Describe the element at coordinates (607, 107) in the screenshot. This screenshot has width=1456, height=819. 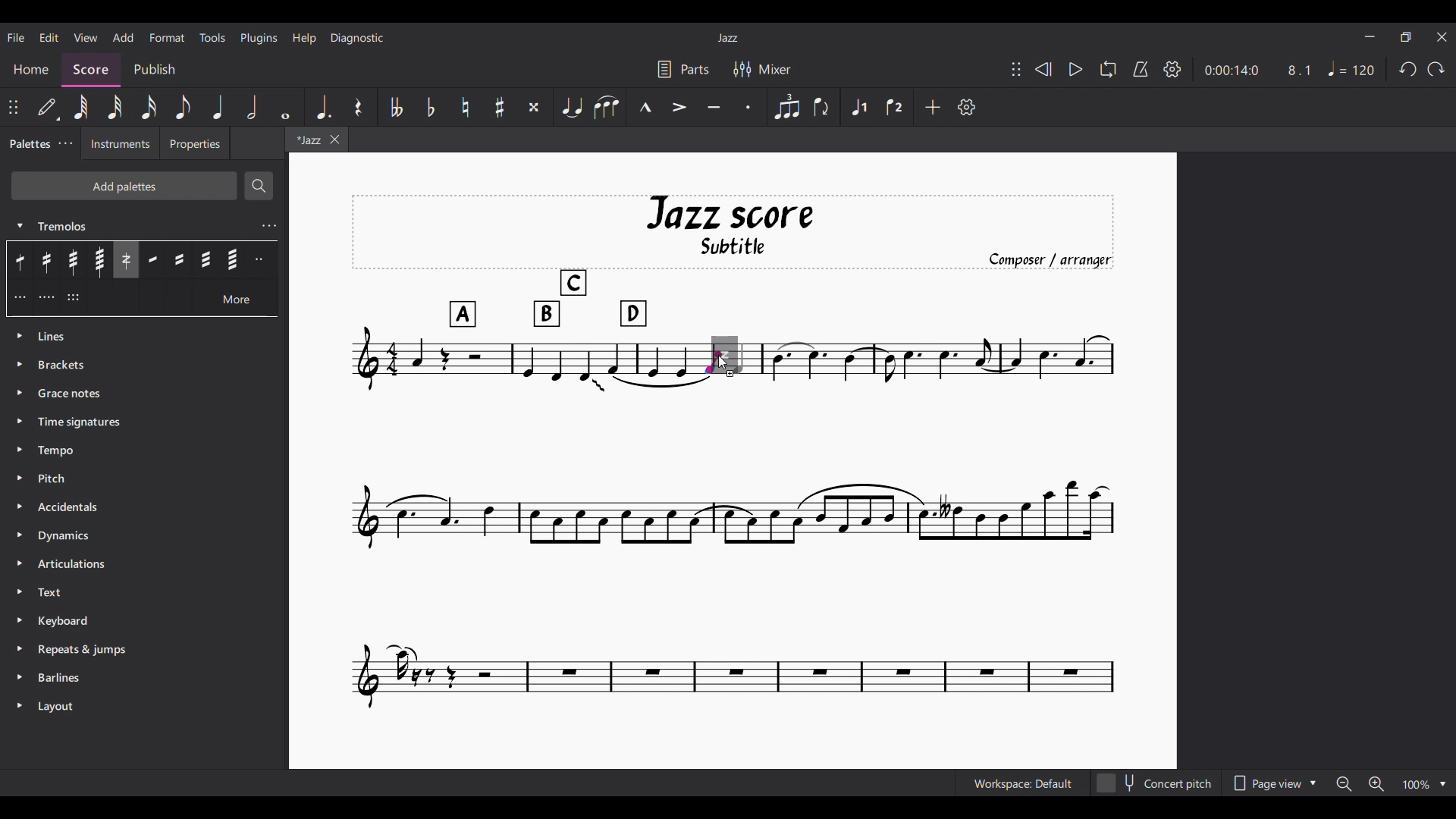
I see `Slur` at that location.